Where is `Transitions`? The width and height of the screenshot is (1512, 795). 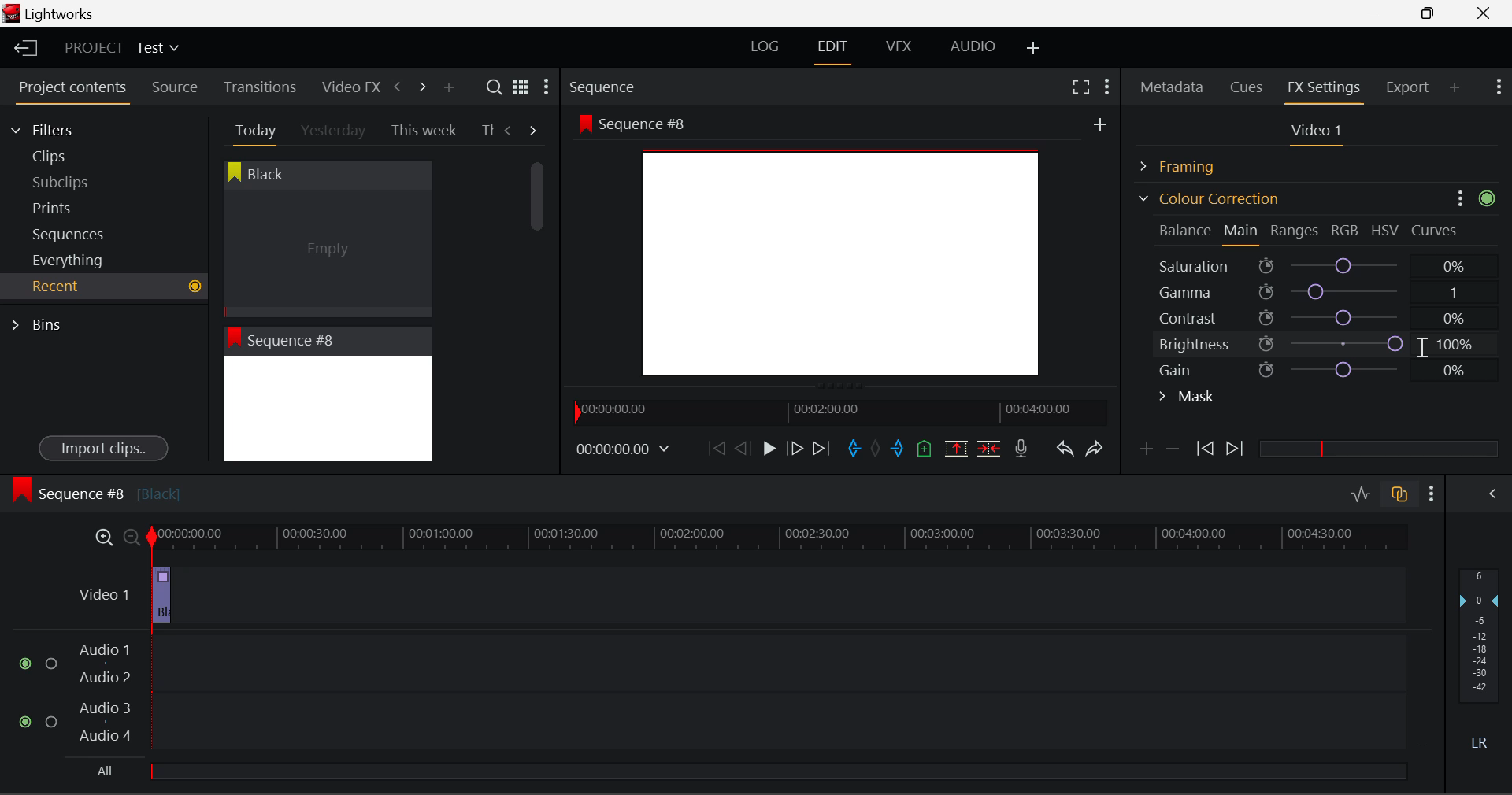 Transitions is located at coordinates (260, 87).